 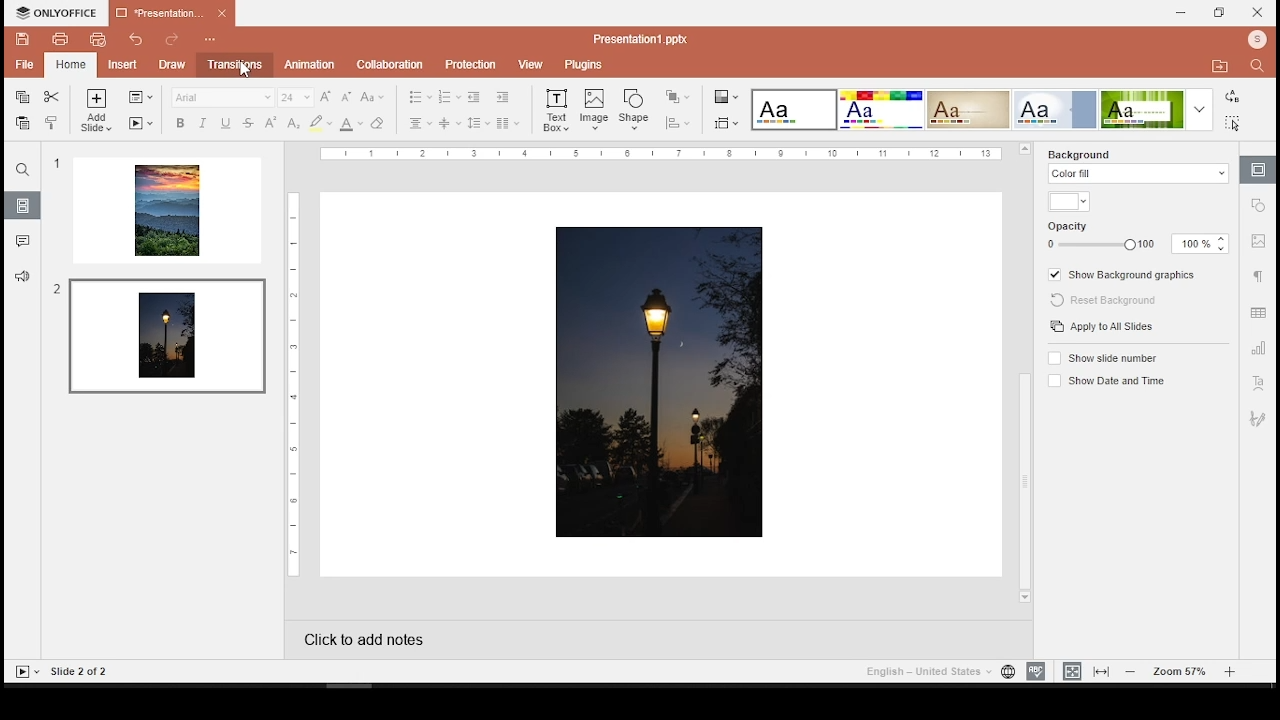 I want to click on increase font size, so click(x=326, y=96).